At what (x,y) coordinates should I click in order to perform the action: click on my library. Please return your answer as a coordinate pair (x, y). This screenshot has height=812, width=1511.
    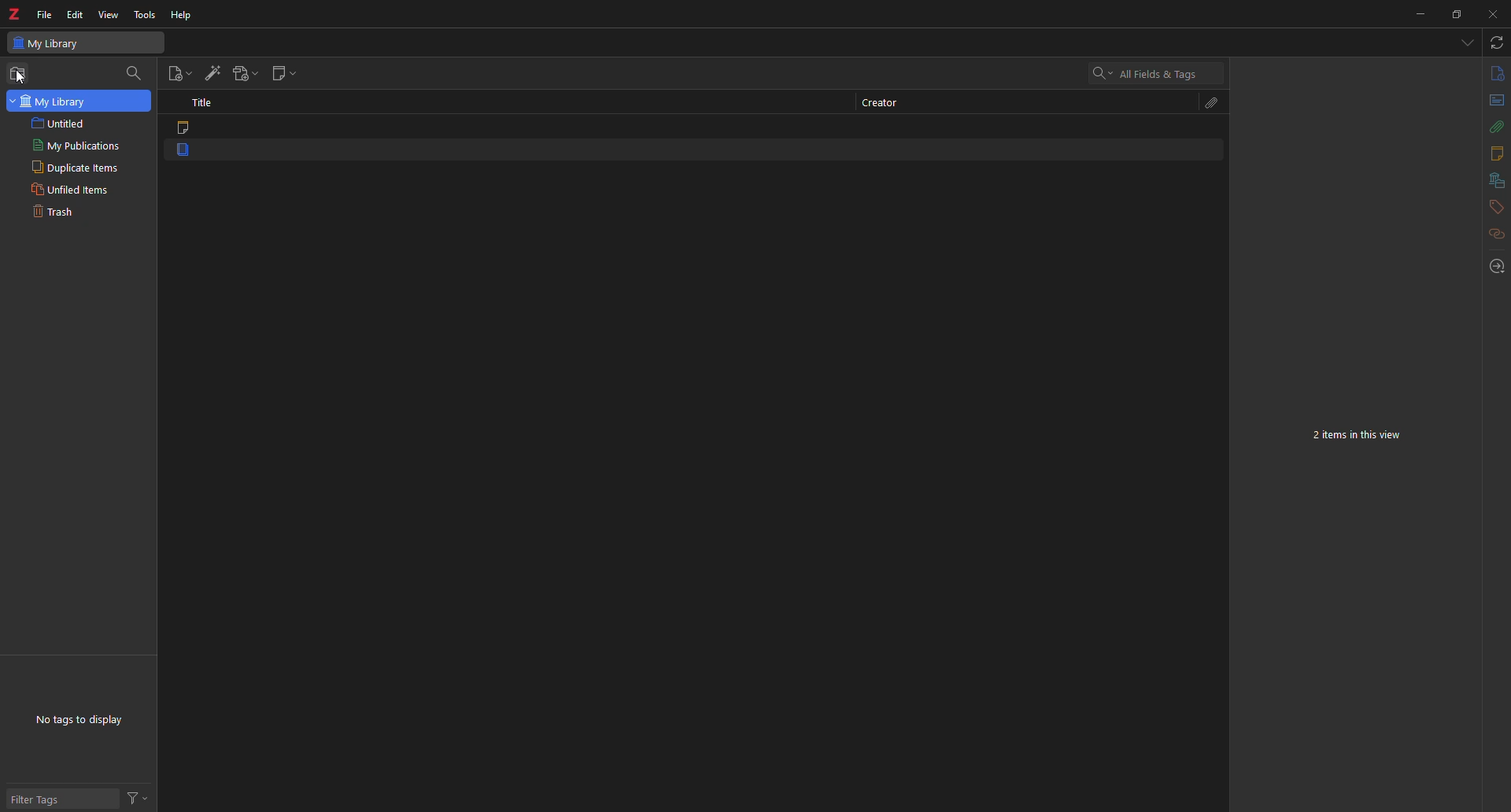
    Looking at the image, I should click on (78, 101).